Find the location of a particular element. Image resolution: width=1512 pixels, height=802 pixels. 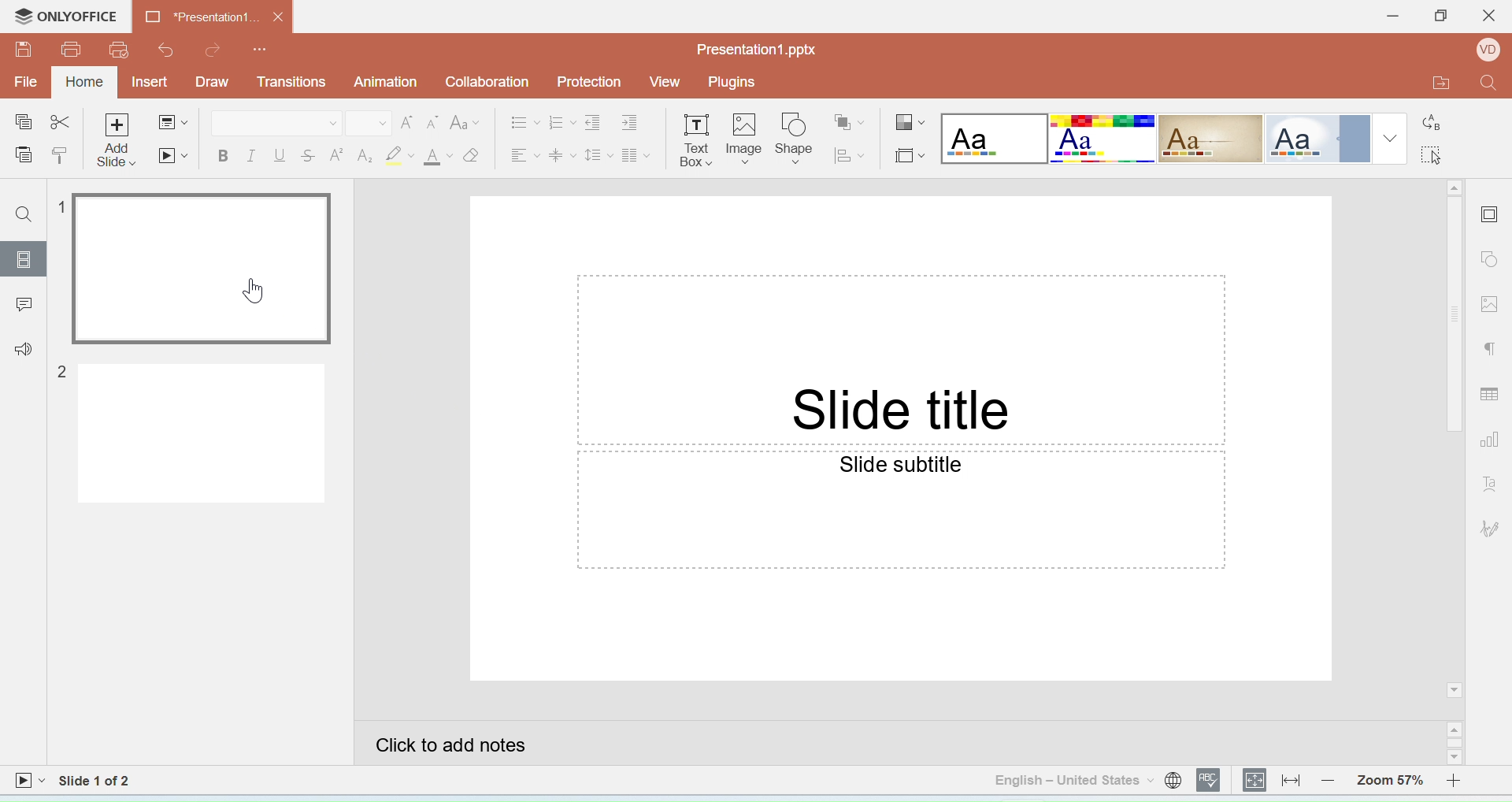

Insert columns is located at coordinates (636, 153).